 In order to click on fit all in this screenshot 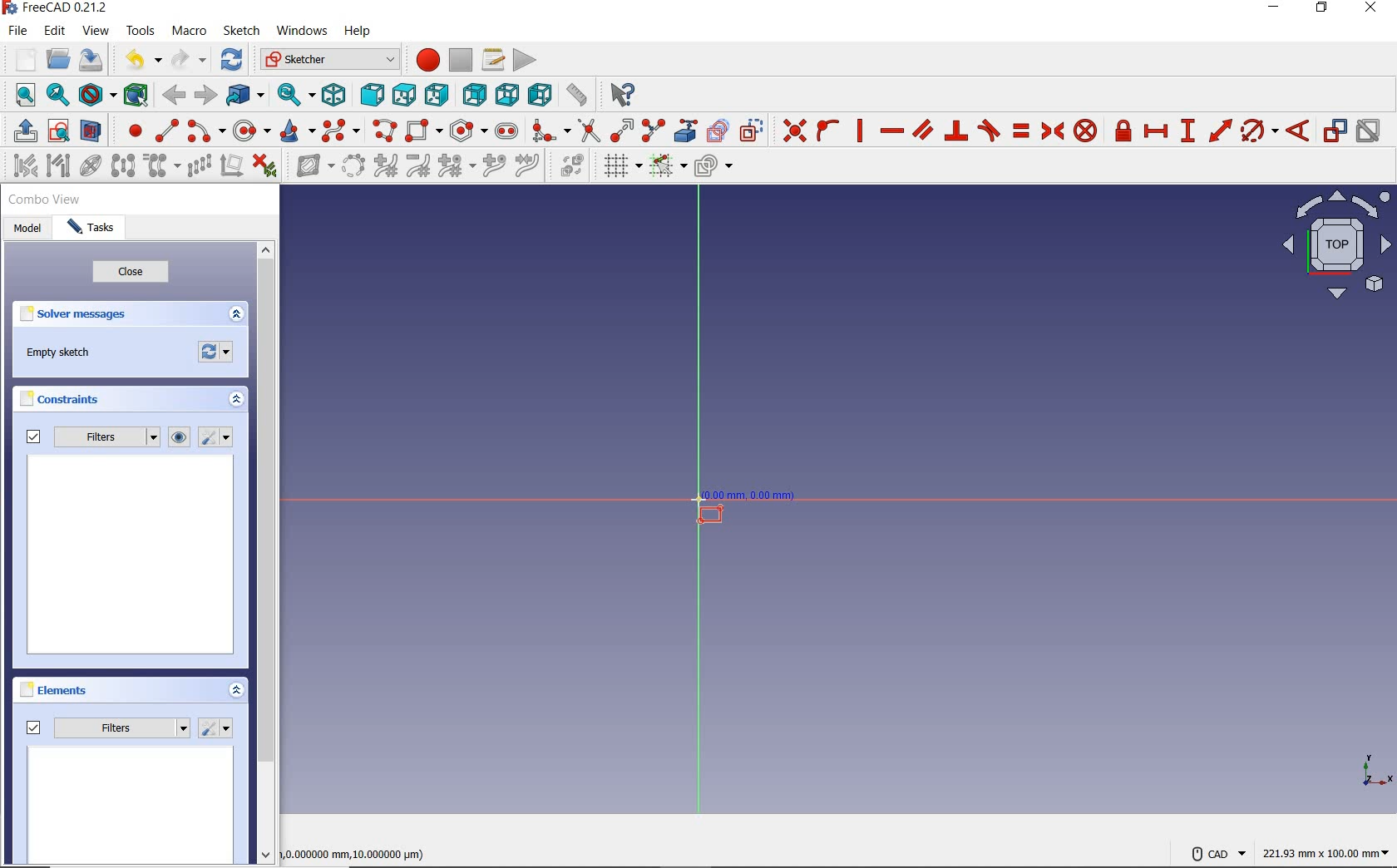, I will do `click(20, 96)`.